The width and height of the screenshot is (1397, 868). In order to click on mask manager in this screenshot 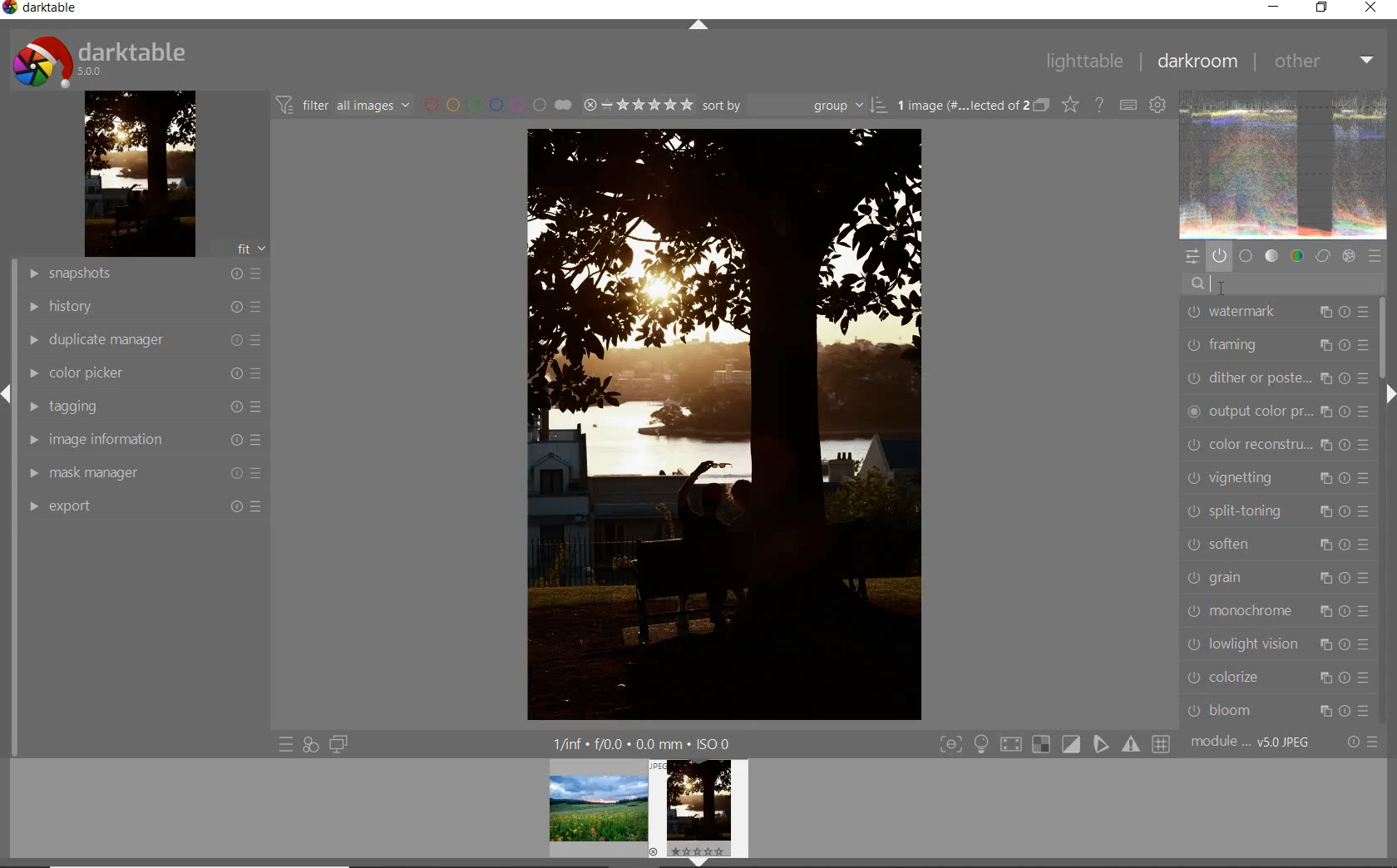, I will do `click(143, 476)`.